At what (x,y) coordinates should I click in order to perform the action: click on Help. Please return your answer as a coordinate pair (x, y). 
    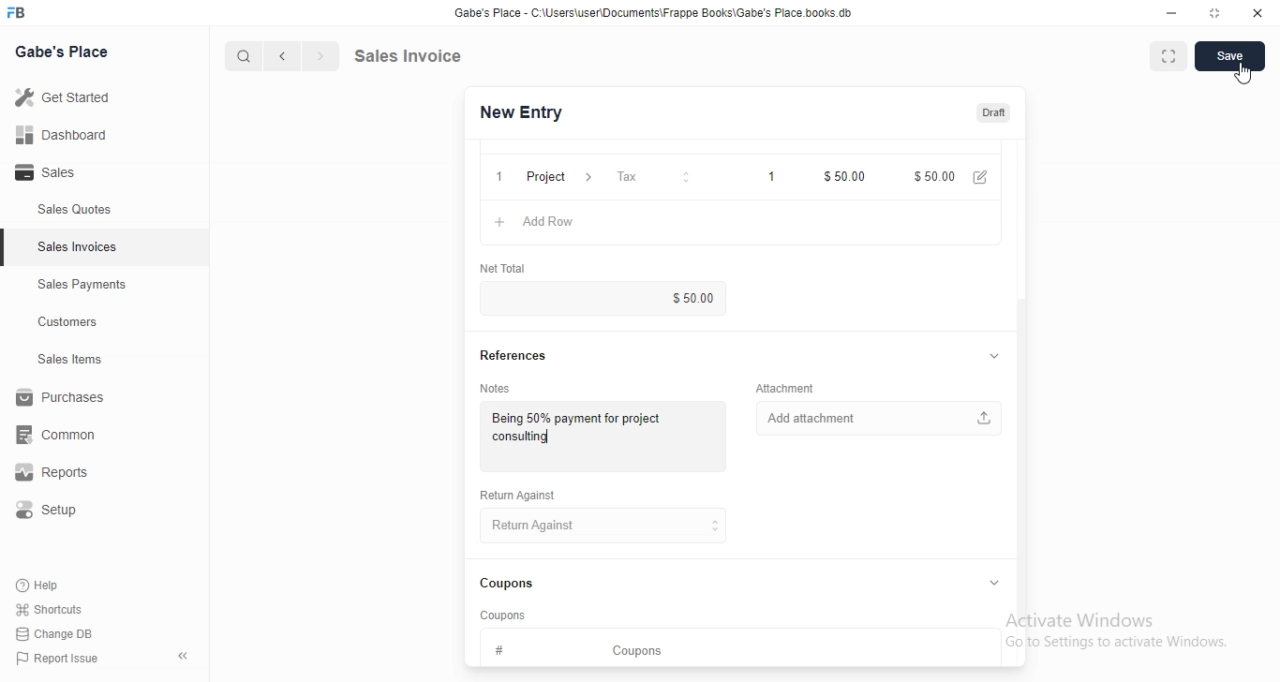
    Looking at the image, I should click on (57, 584).